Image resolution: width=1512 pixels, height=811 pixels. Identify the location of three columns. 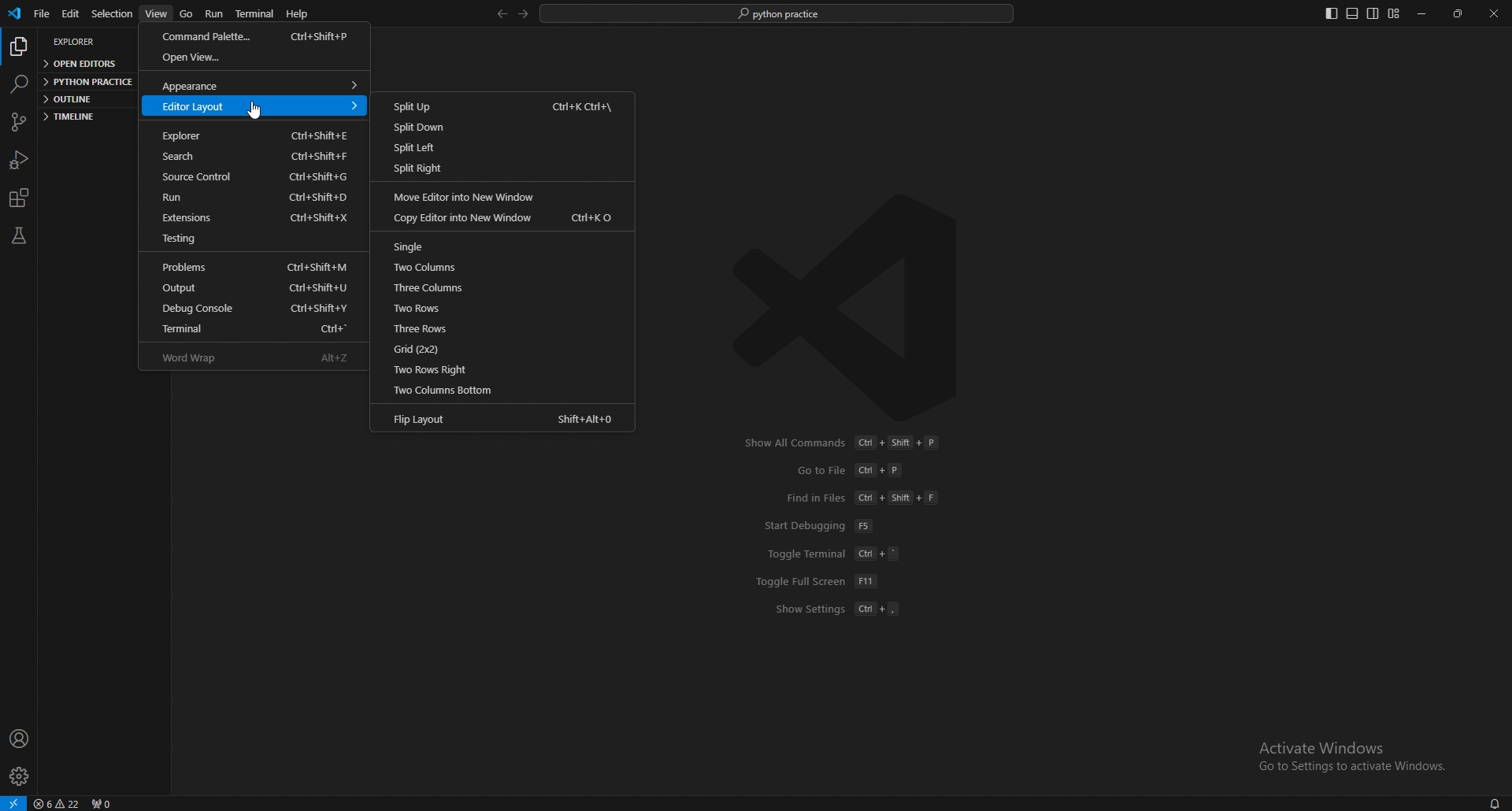
(491, 288).